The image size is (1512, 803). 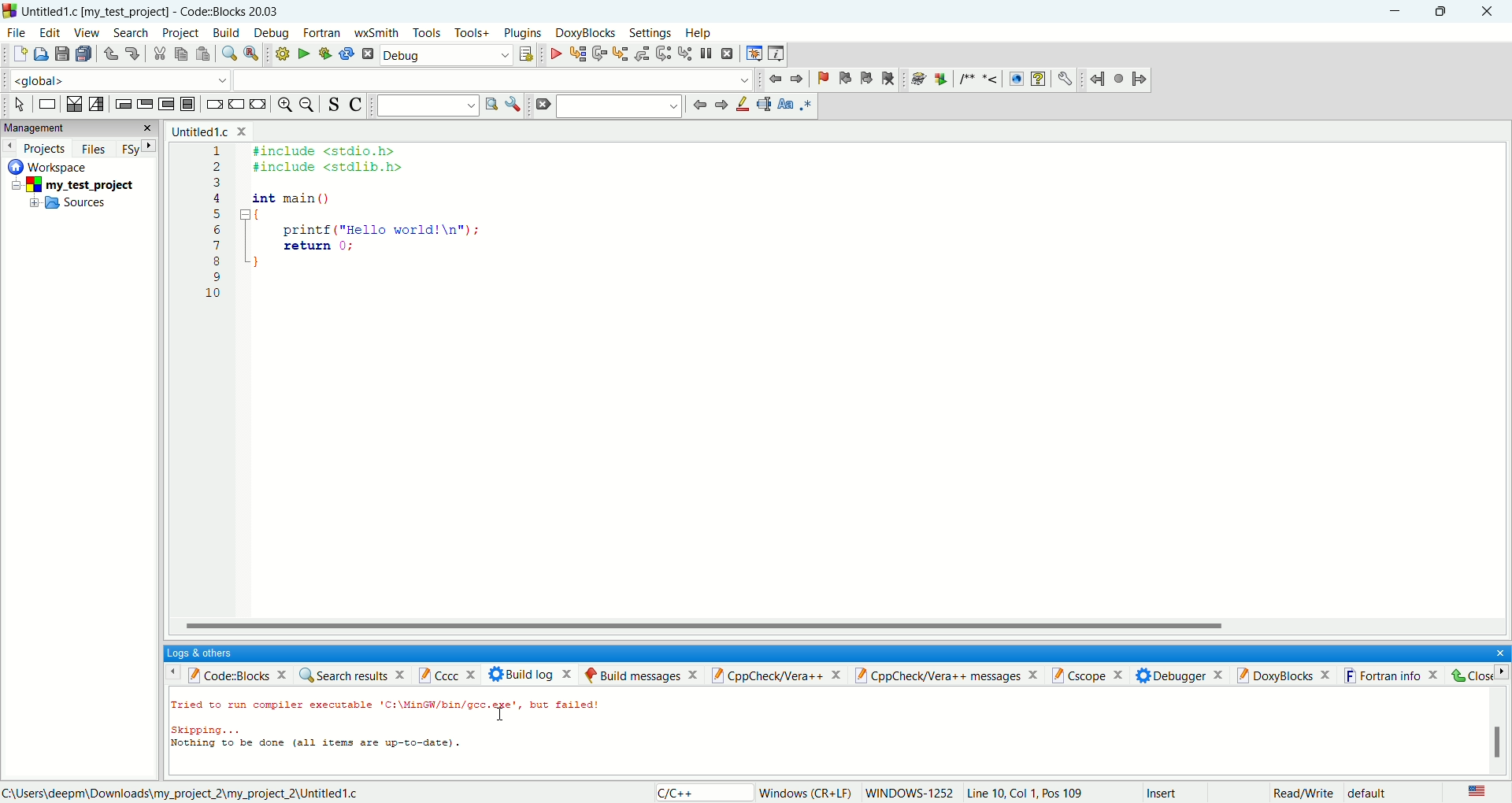 What do you see at coordinates (54, 165) in the screenshot?
I see `workspace` at bounding box center [54, 165].